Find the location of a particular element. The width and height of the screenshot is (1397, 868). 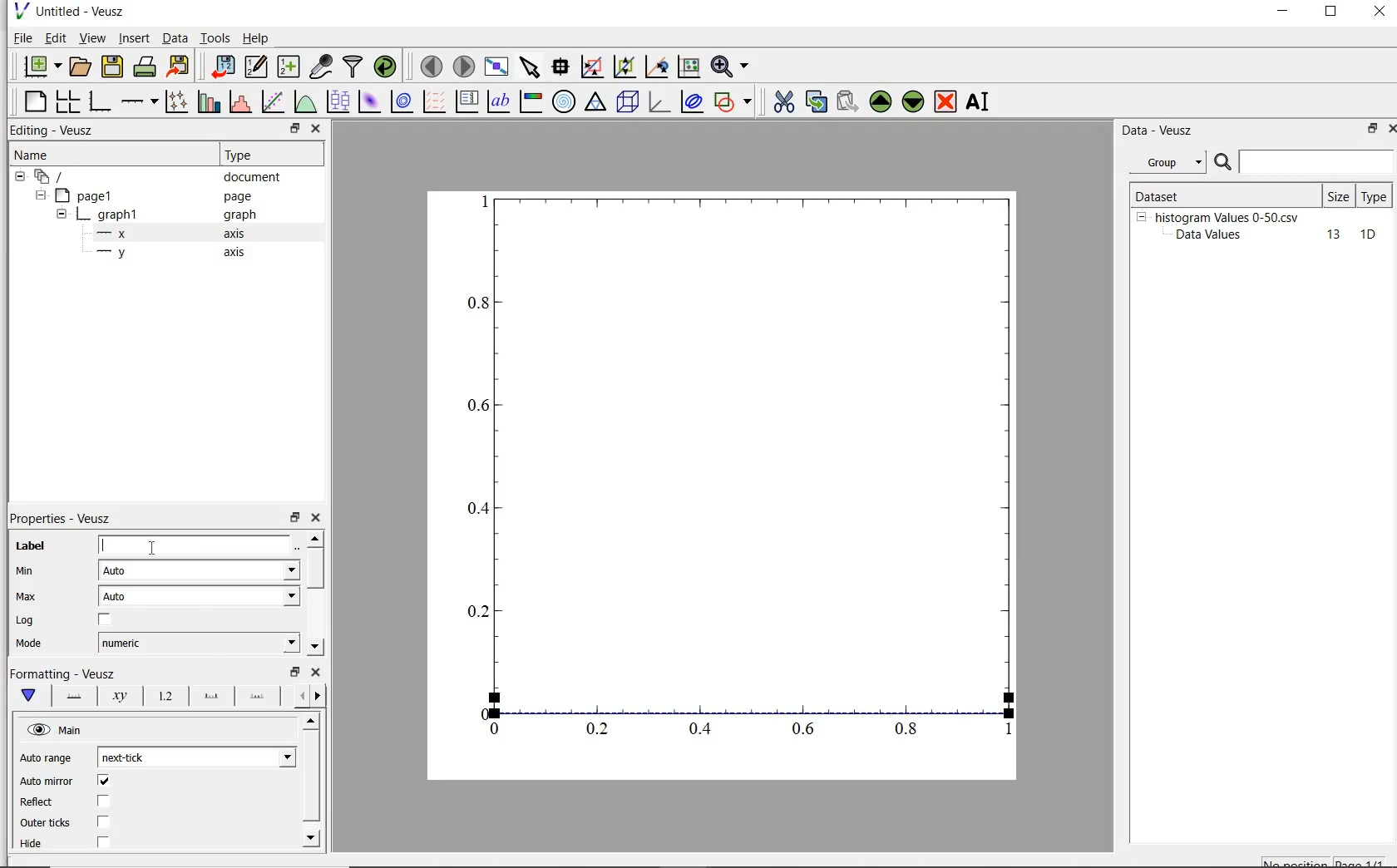

10 is located at coordinates (1368, 235).